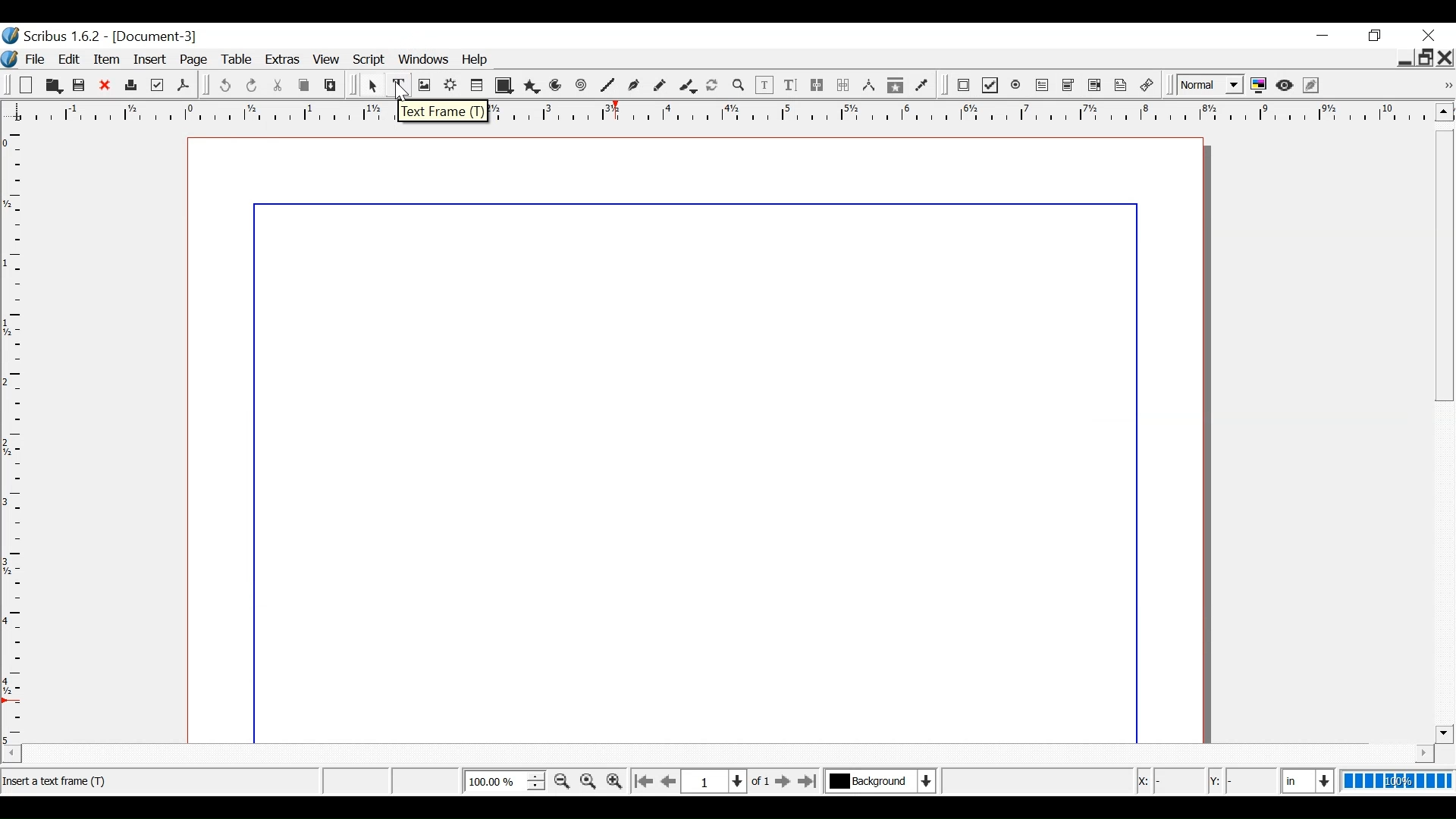 This screenshot has width=1456, height=819. I want to click on of 1, so click(760, 783).